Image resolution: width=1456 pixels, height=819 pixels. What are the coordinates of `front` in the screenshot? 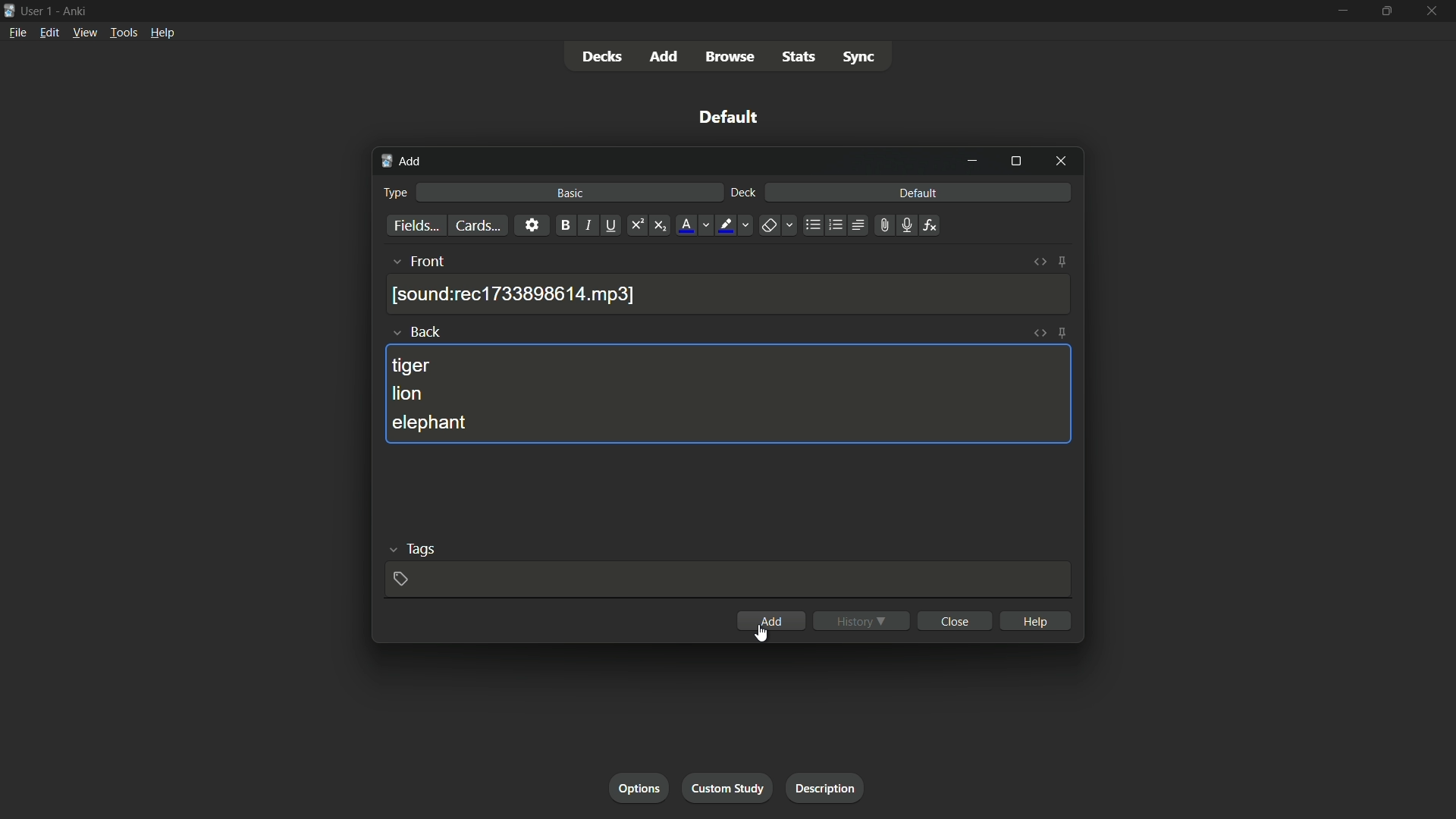 It's located at (429, 262).